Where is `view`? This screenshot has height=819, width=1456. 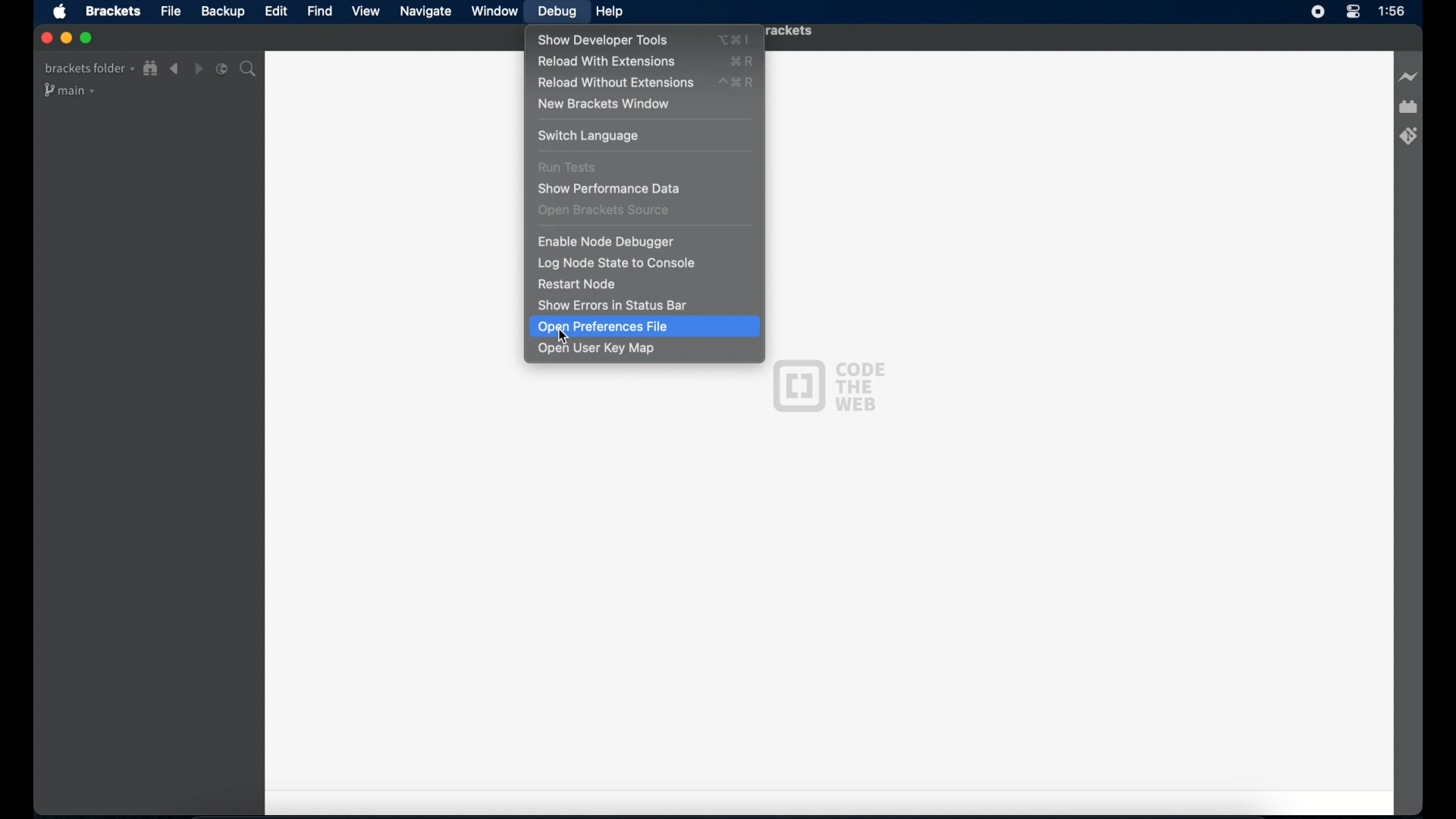
view is located at coordinates (366, 11).